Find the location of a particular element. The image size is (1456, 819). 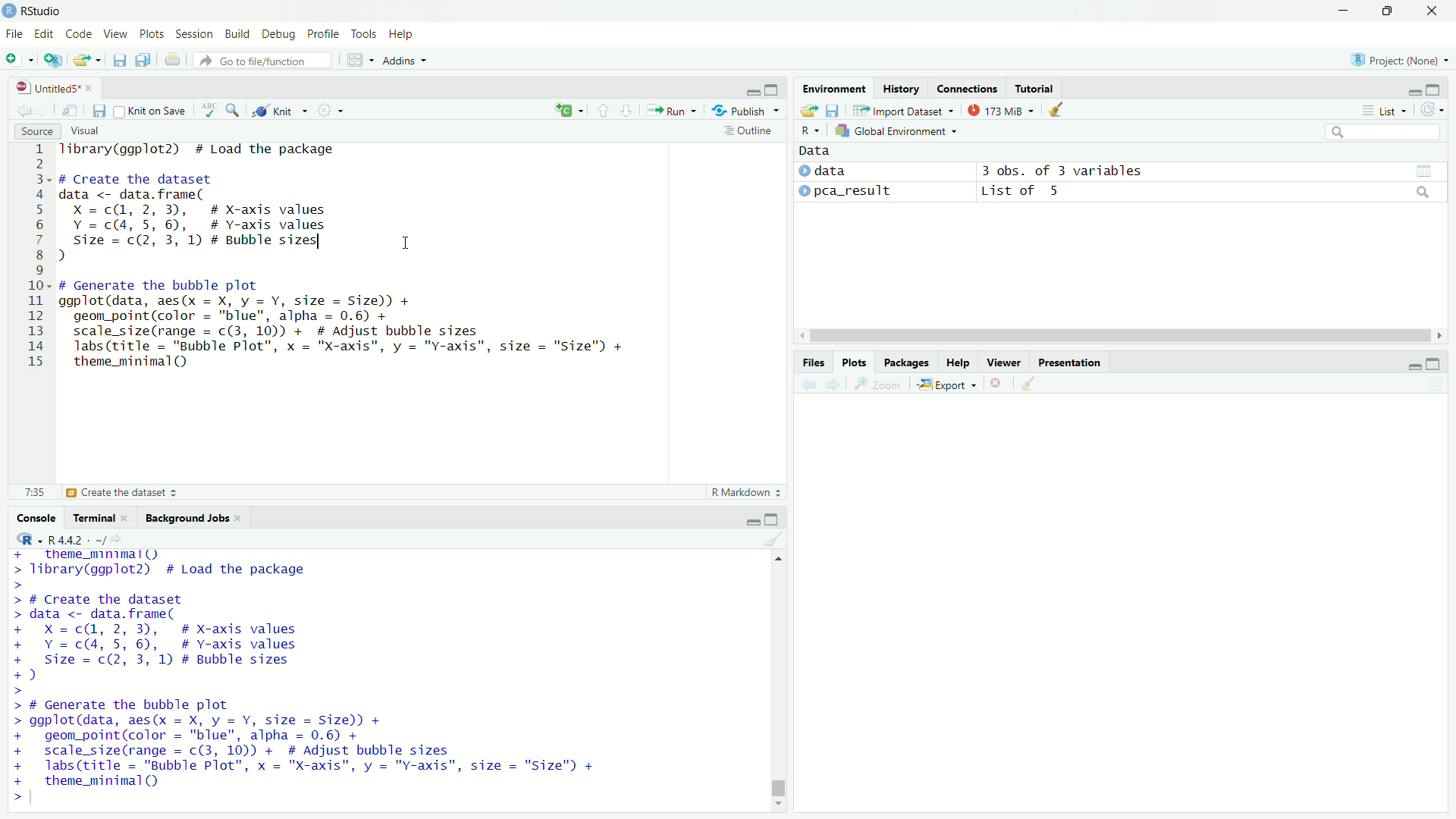

help is located at coordinates (958, 362).